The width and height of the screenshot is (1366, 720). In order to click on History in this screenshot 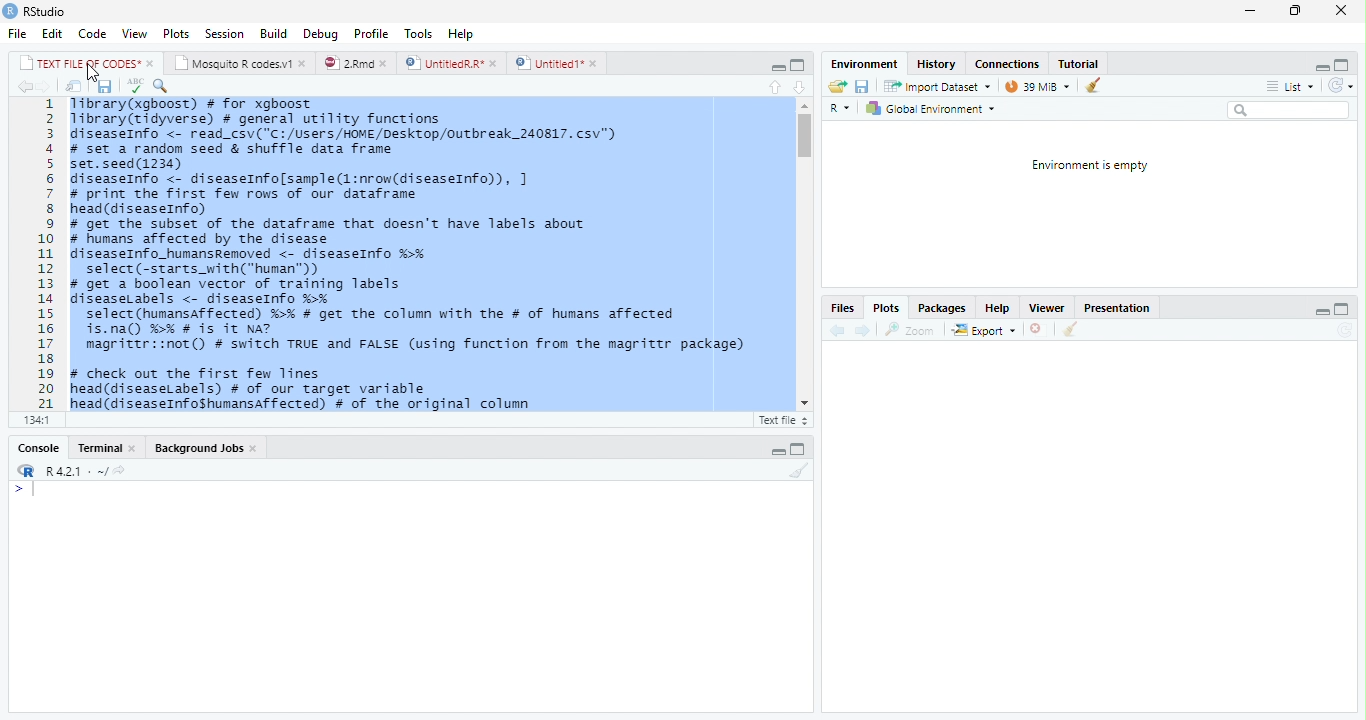, I will do `click(938, 64)`.